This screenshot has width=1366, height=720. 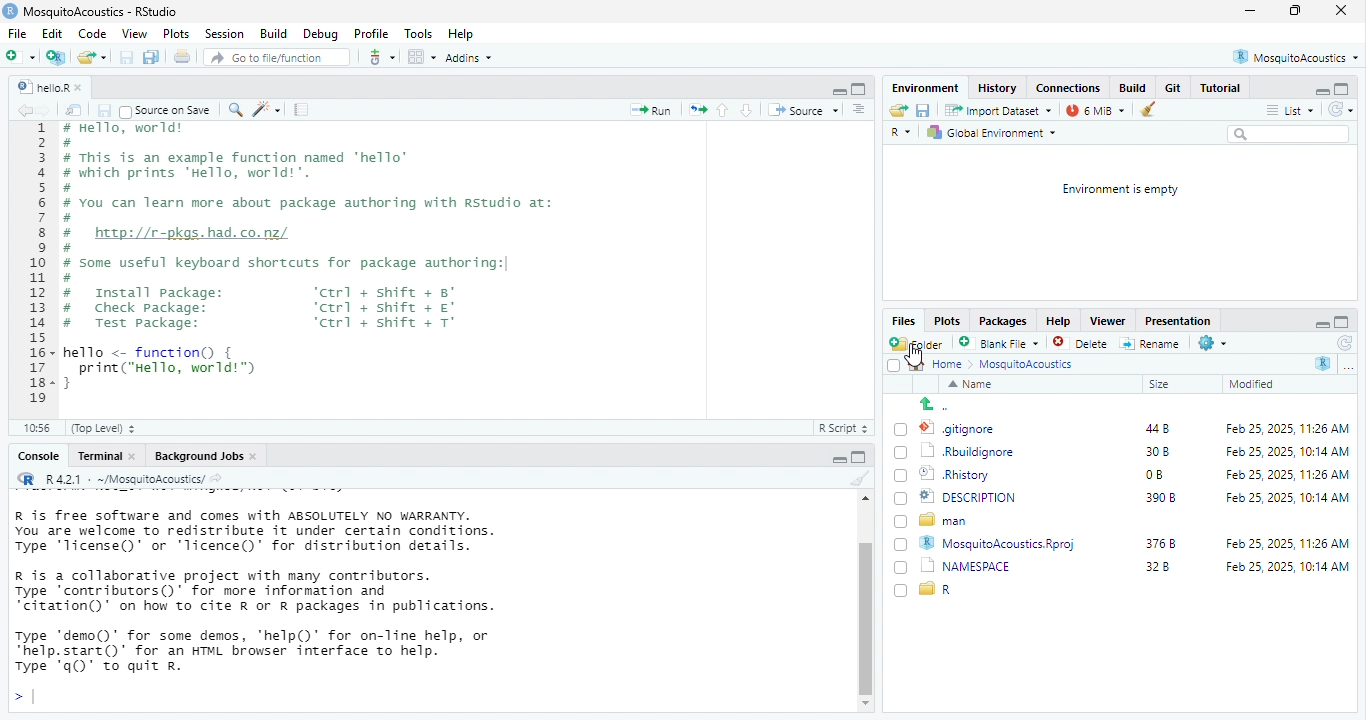 I want to click on Feb 25, 2025, 11:26 AM, so click(x=1278, y=473).